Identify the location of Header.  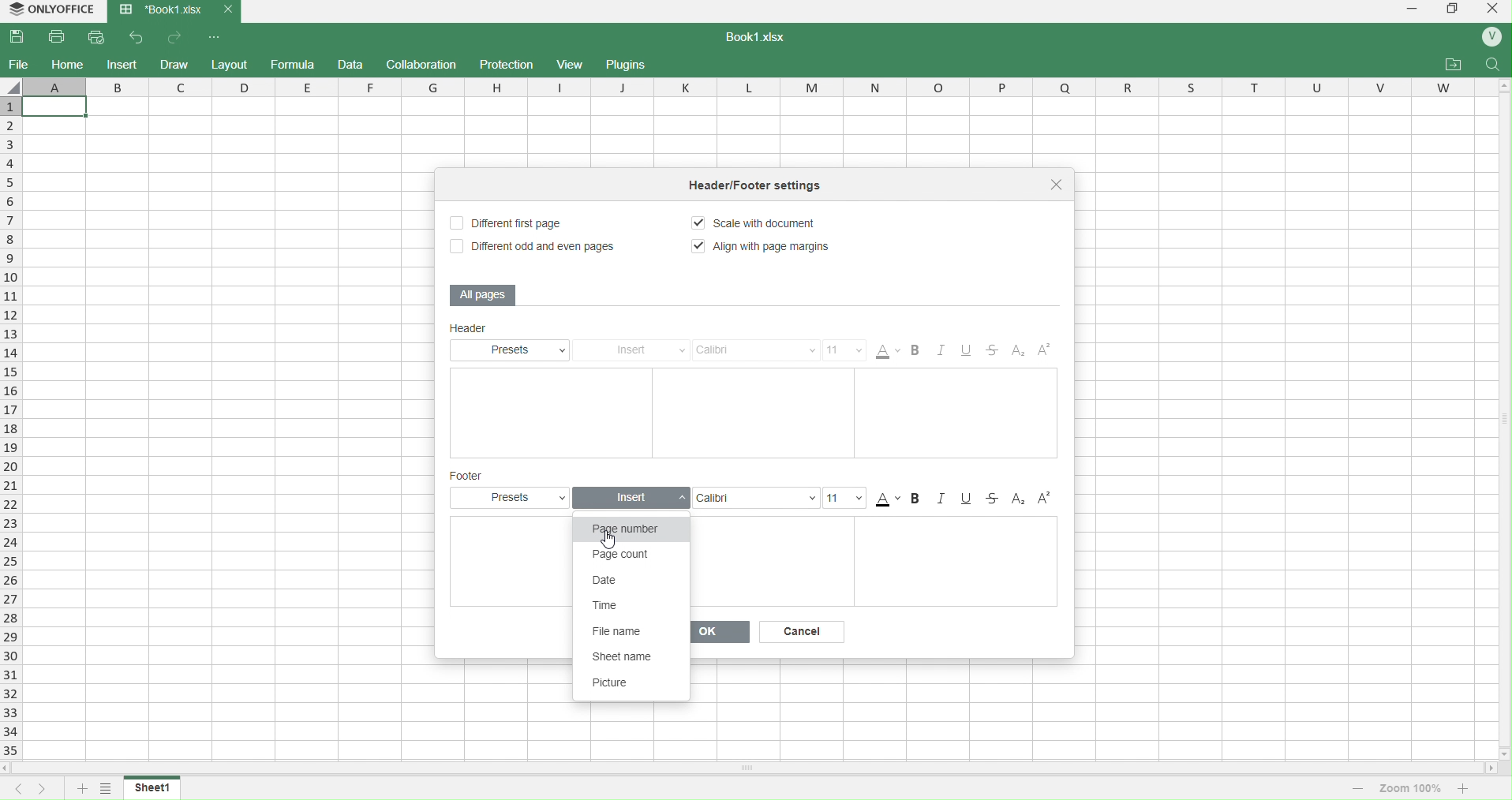
(503, 330).